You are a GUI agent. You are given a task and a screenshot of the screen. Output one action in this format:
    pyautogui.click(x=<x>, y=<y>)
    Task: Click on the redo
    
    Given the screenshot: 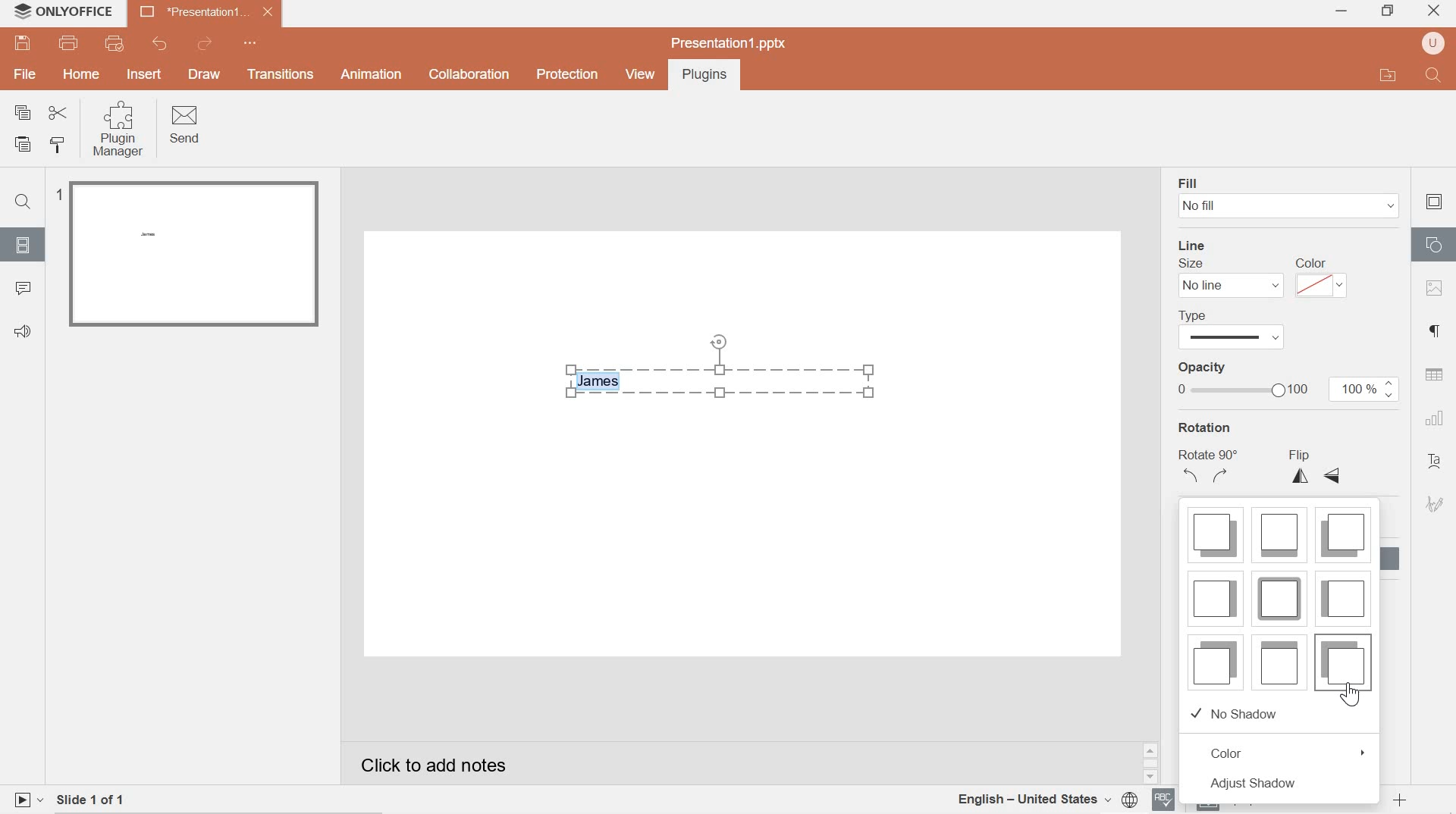 What is the action you would take?
    pyautogui.click(x=207, y=43)
    